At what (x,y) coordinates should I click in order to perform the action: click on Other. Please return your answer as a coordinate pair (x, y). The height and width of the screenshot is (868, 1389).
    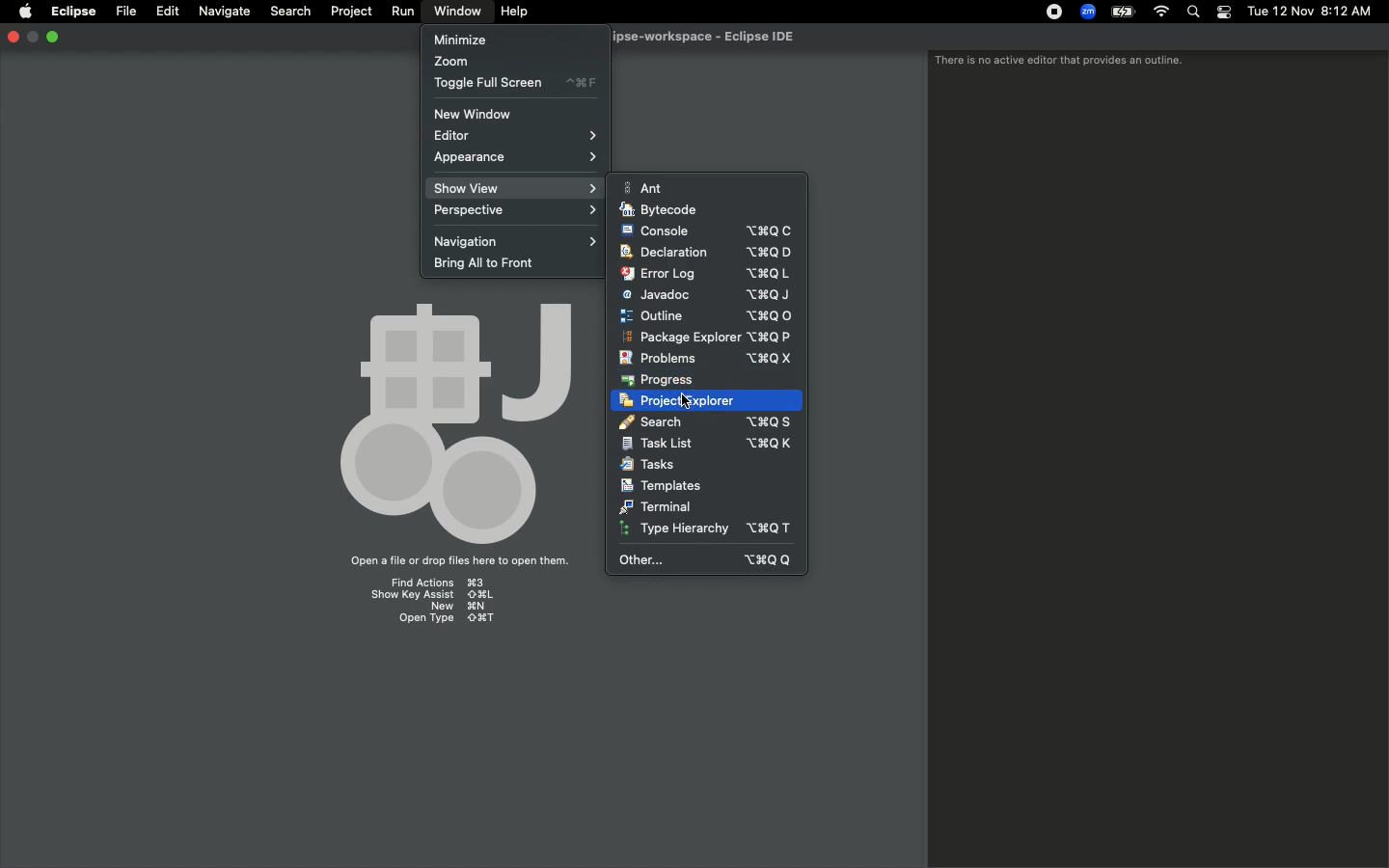
    Looking at the image, I should click on (702, 559).